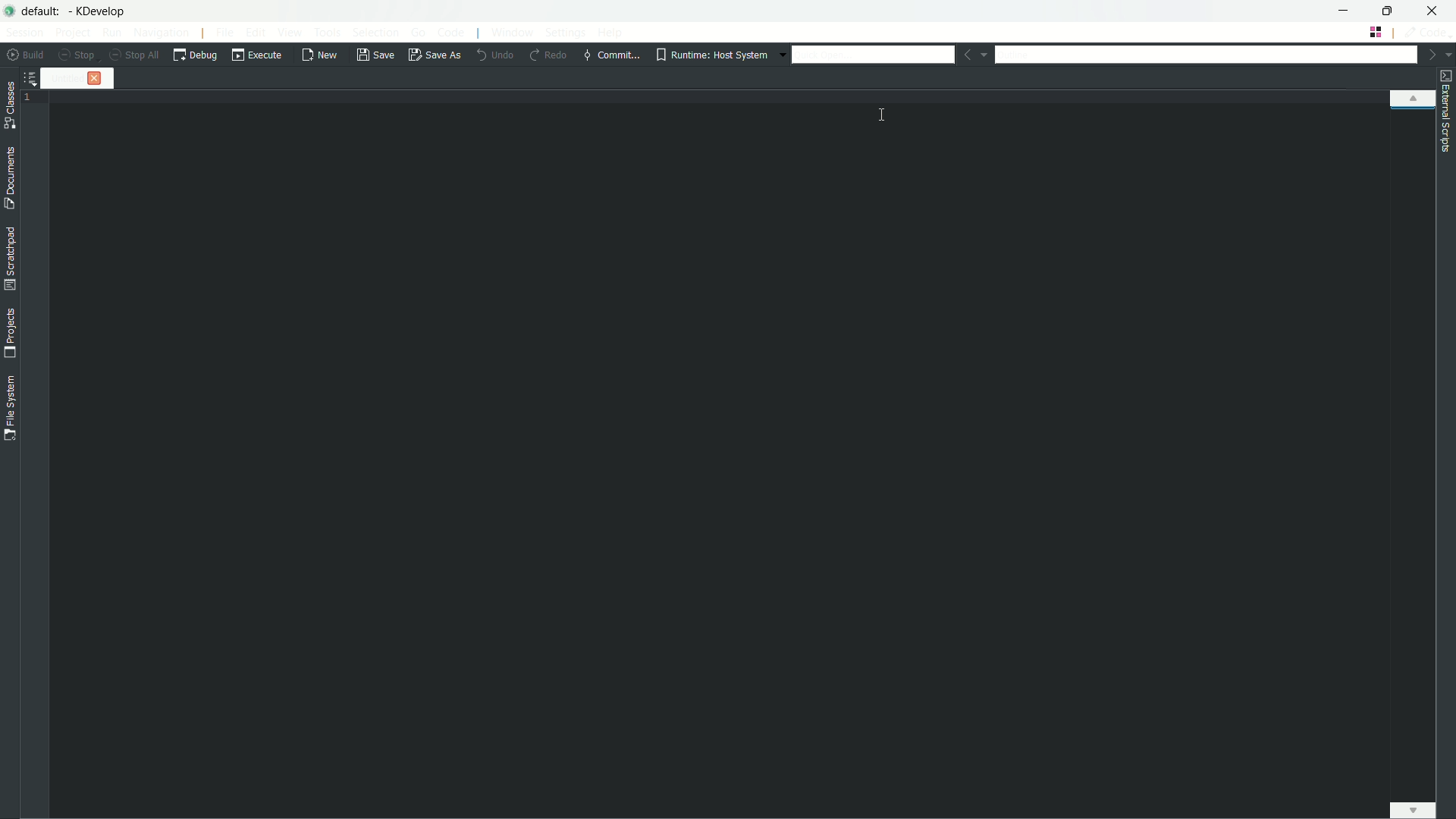 This screenshot has width=1456, height=819. Describe the element at coordinates (44, 11) in the screenshot. I see `default` at that location.